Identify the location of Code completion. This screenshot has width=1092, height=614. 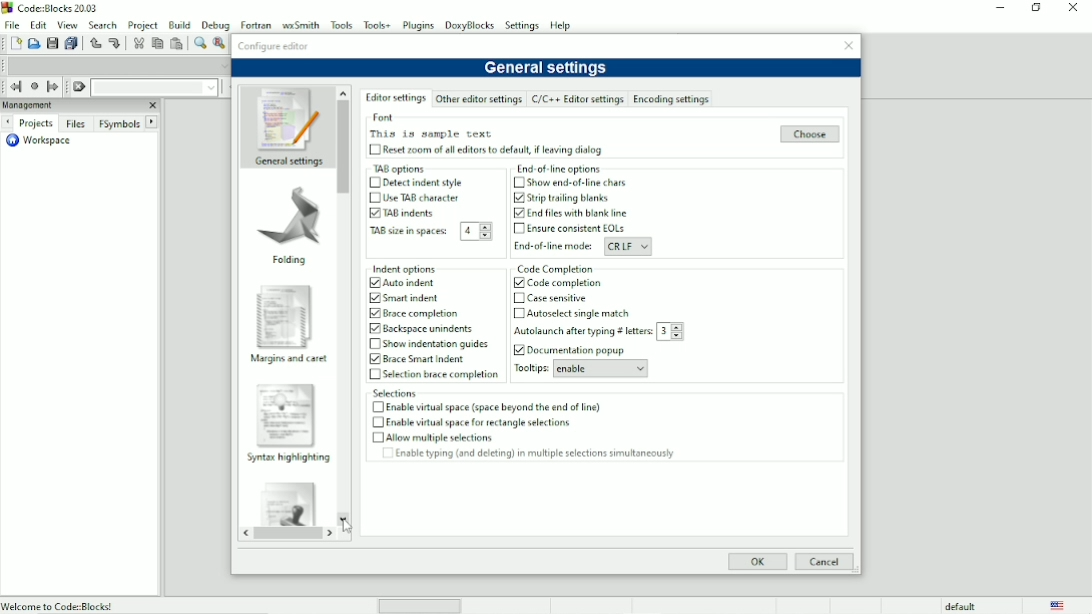
(565, 282).